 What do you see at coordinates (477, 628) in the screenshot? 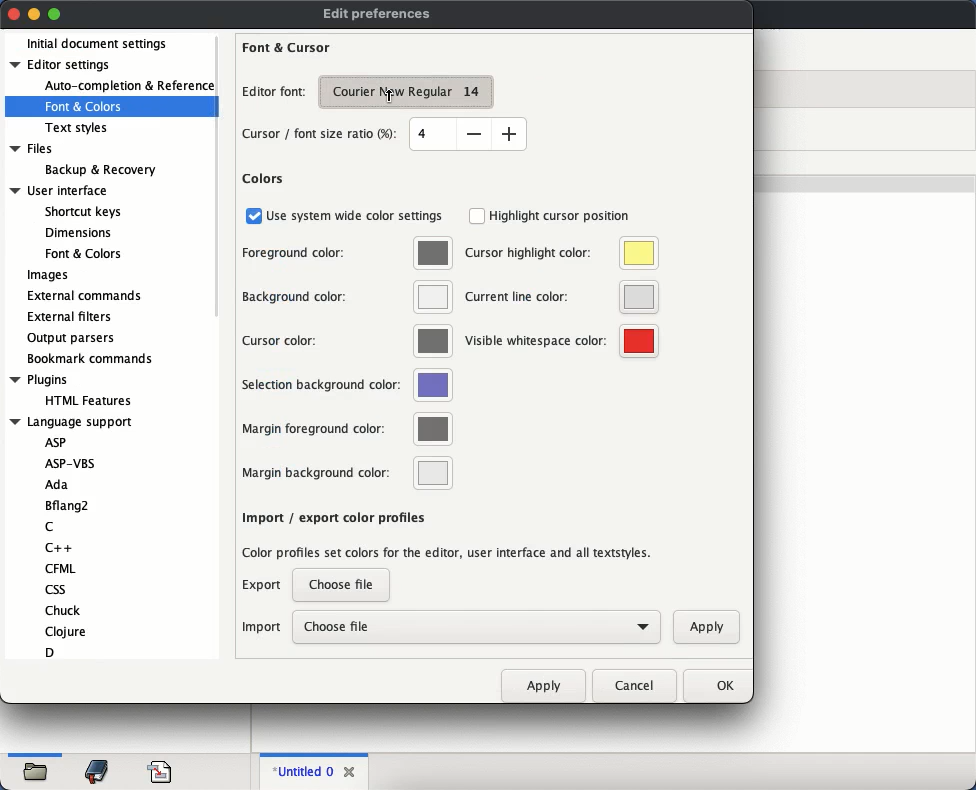
I see `choose file ` at bounding box center [477, 628].